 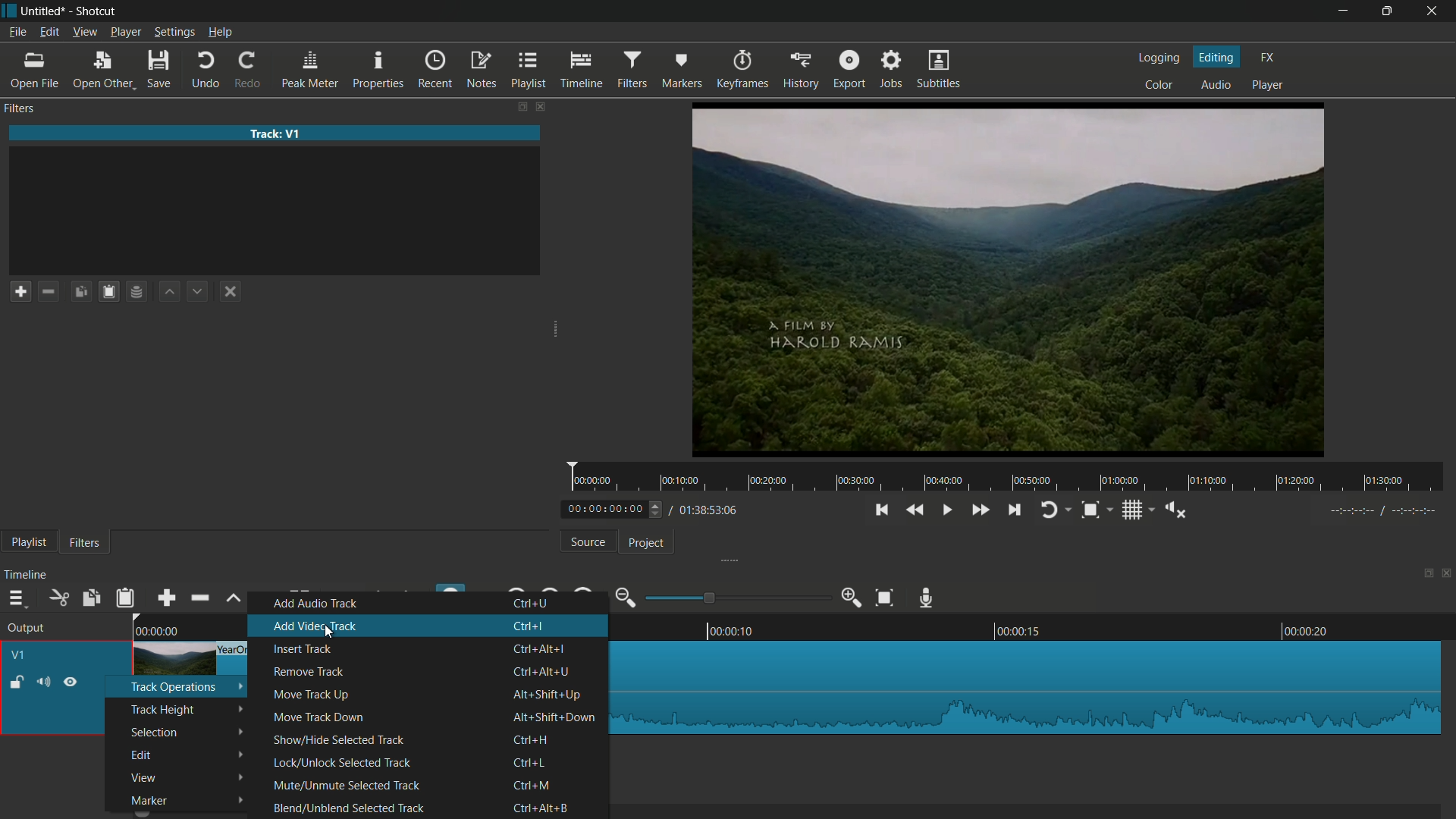 What do you see at coordinates (312, 626) in the screenshot?
I see `add video track` at bounding box center [312, 626].